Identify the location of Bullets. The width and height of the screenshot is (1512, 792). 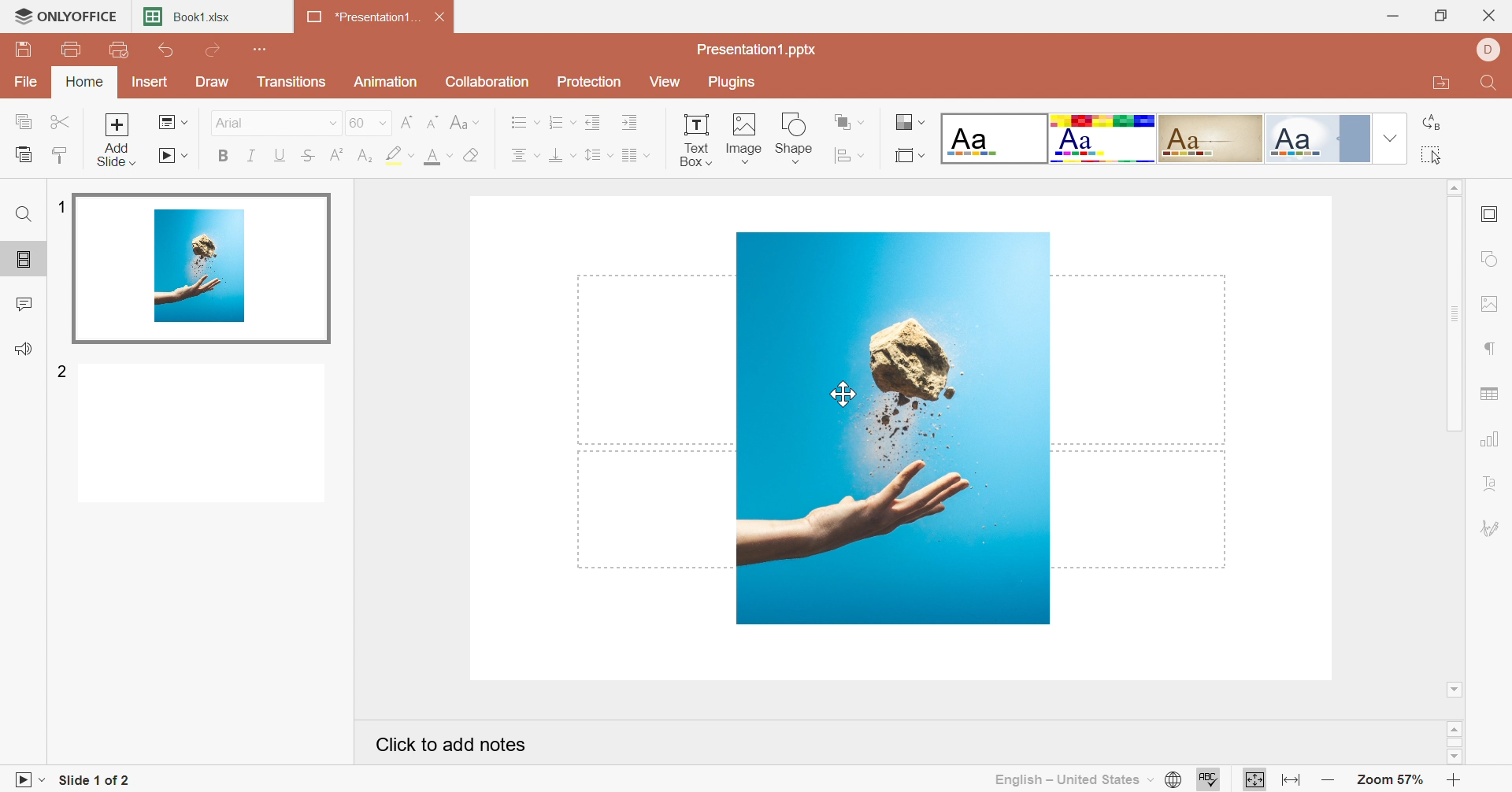
(524, 121).